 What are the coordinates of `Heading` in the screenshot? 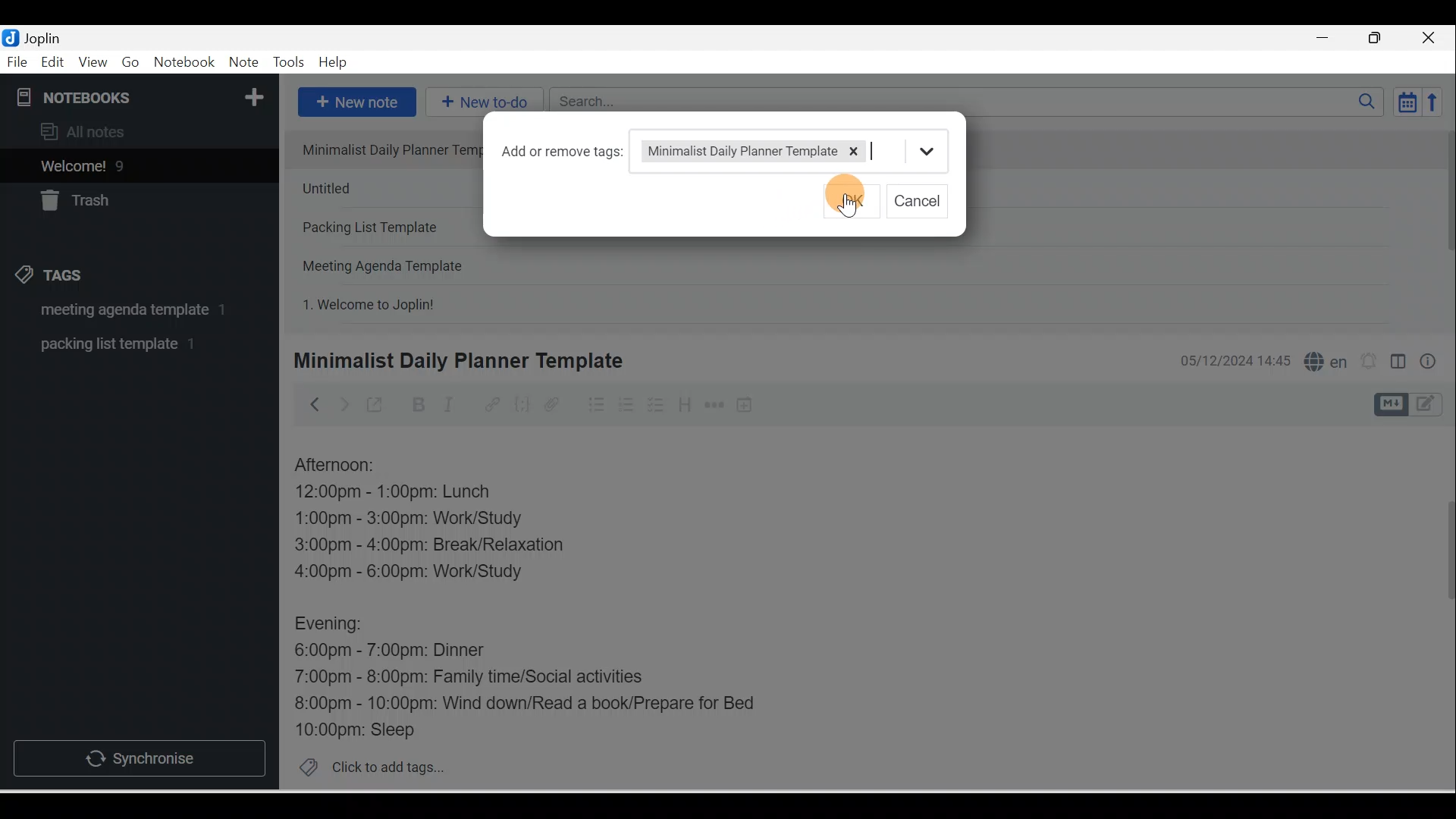 It's located at (684, 403).